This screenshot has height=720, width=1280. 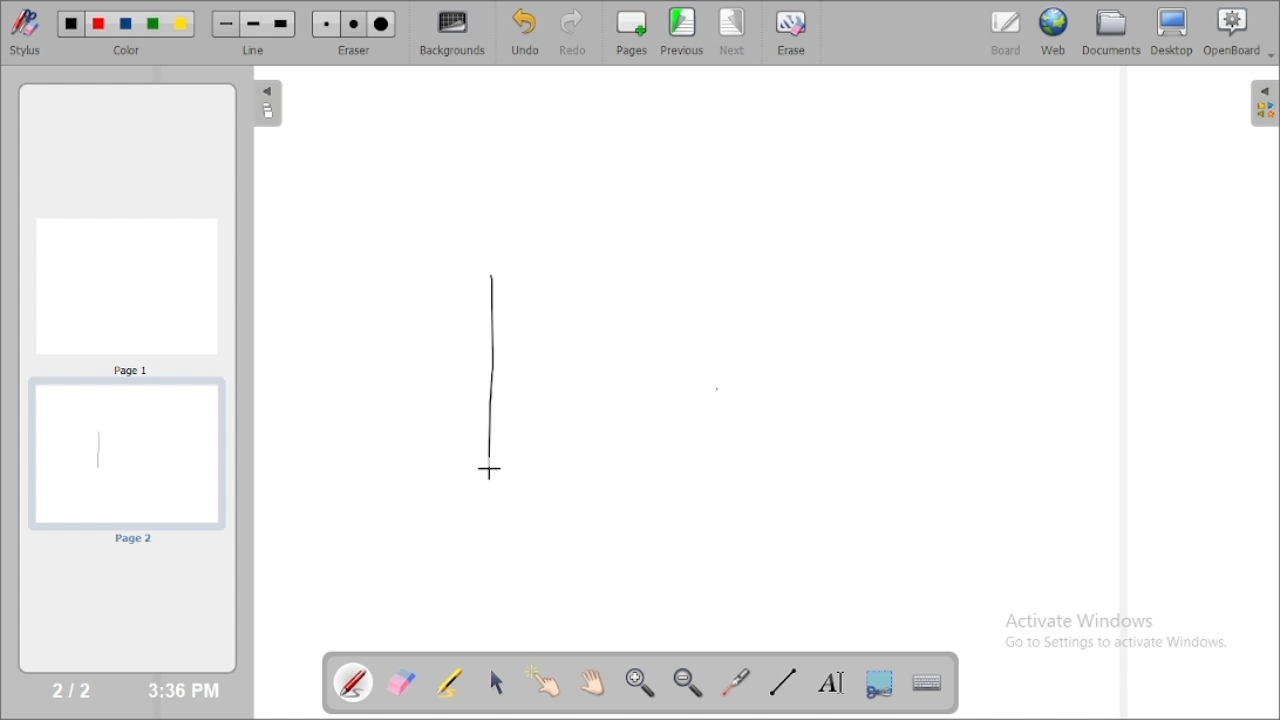 What do you see at coordinates (181, 24) in the screenshot?
I see `Color 5` at bounding box center [181, 24].